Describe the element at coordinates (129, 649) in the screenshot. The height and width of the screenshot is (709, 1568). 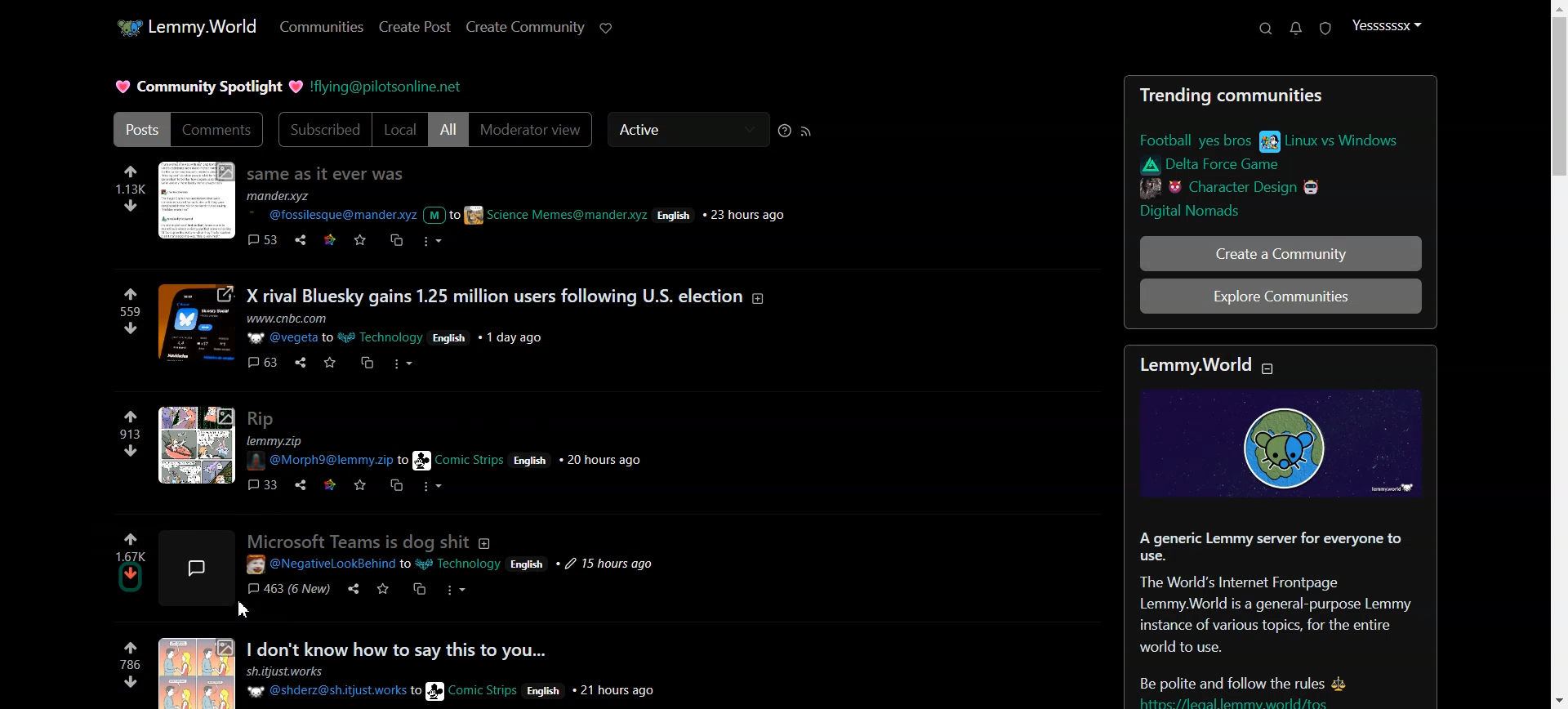
I see `up` at that location.